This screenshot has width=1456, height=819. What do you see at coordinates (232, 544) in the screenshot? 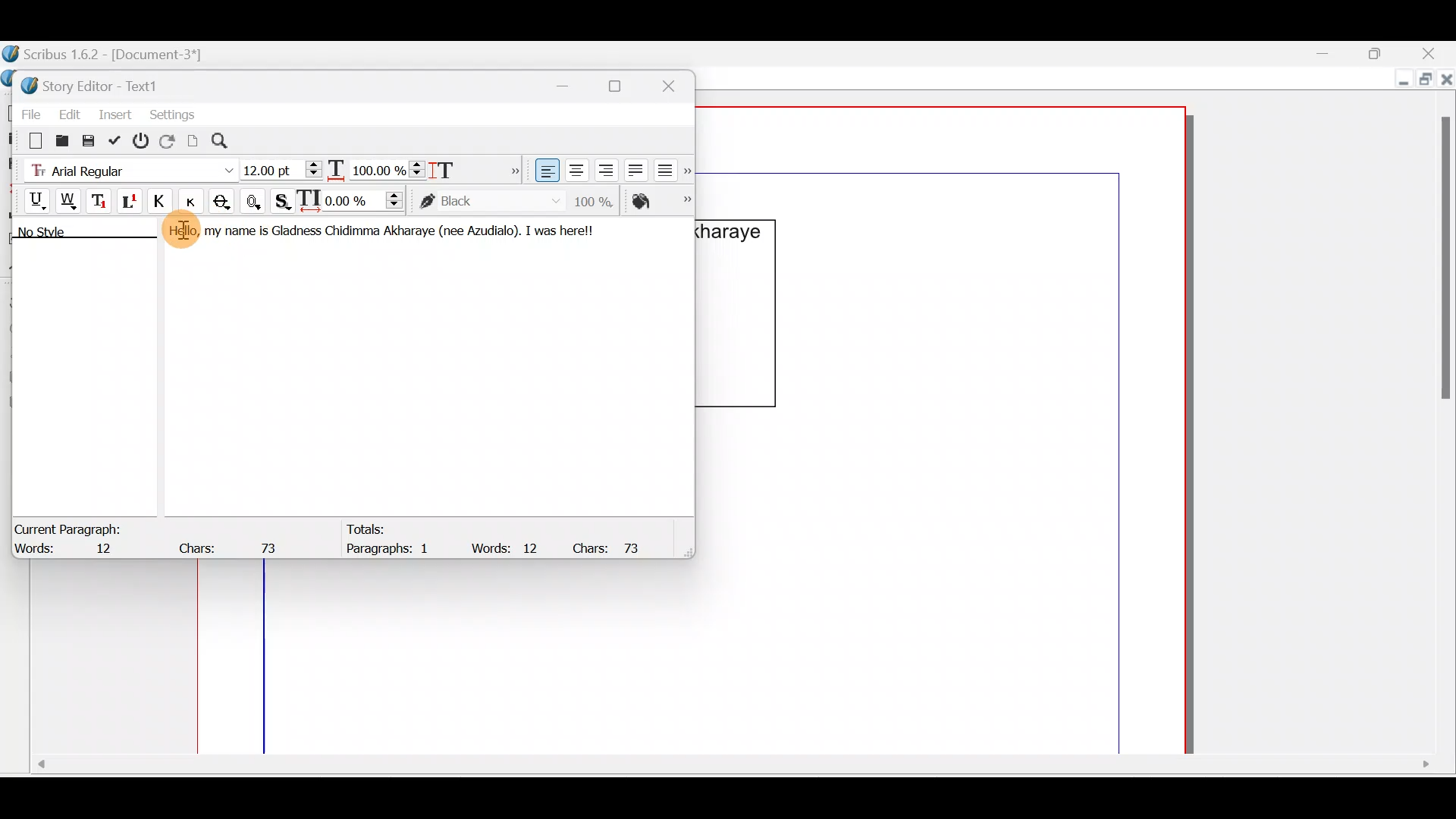
I see `Chars: 73` at bounding box center [232, 544].